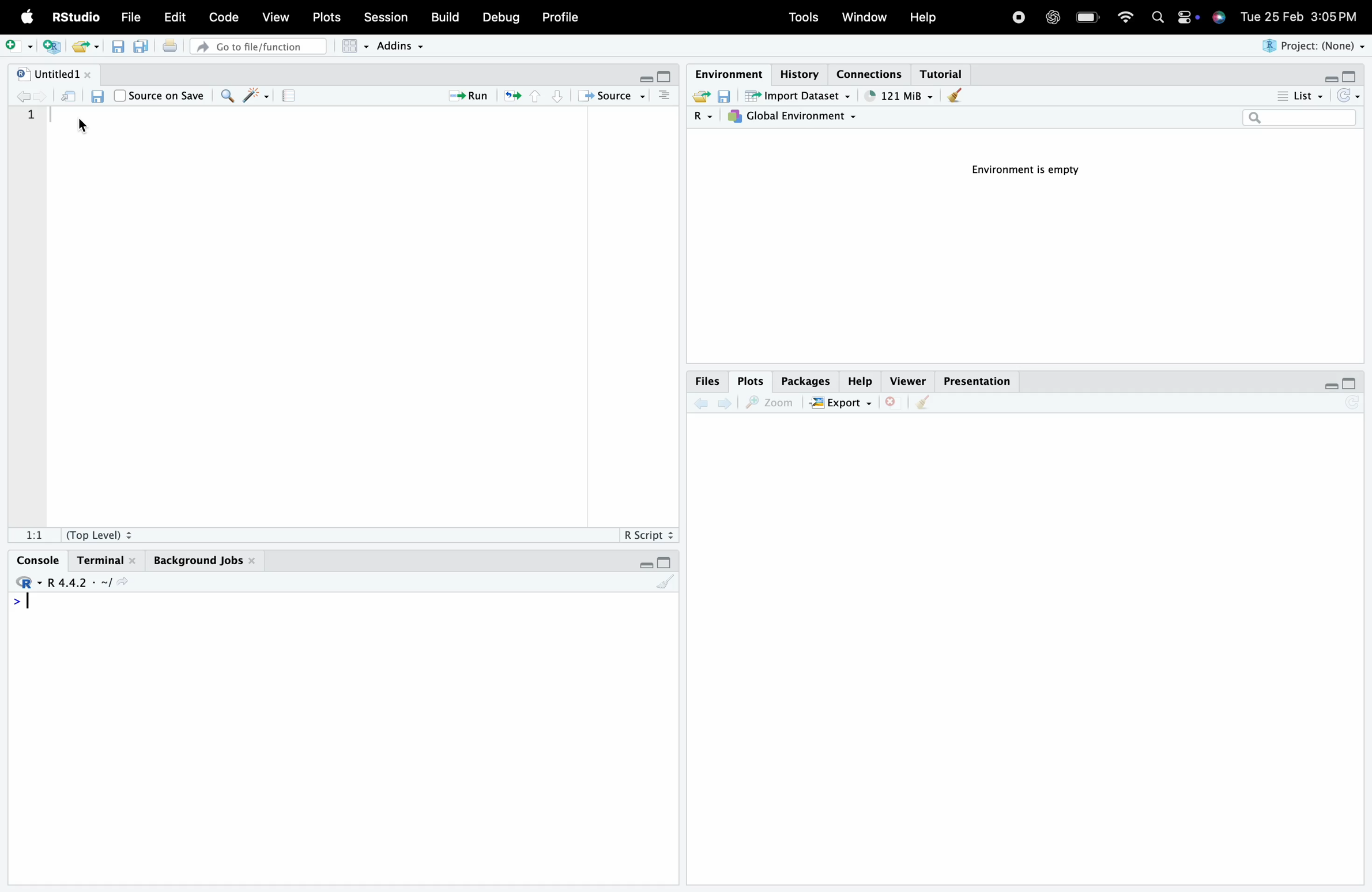 The image size is (1372, 892). I want to click on Window, so click(866, 18).